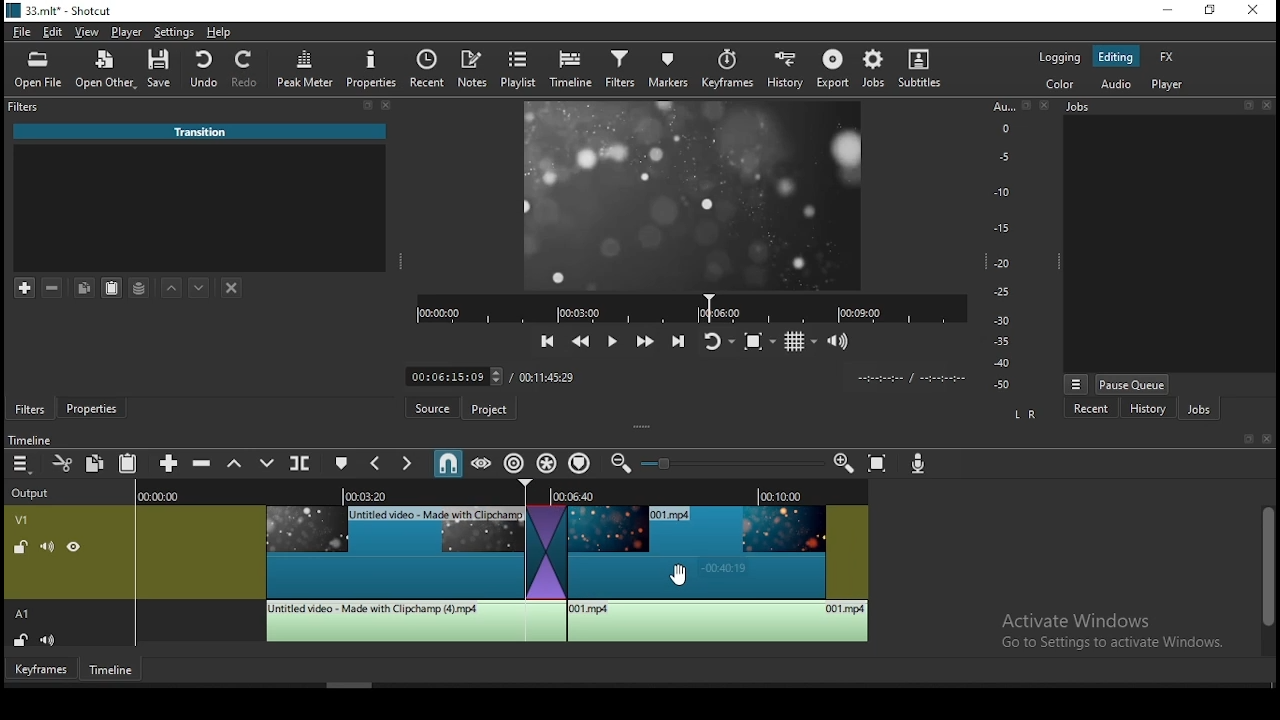 The image size is (1280, 720). What do you see at coordinates (757, 339) in the screenshot?
I see `toggle zoom` at bounding box center [757, 339].